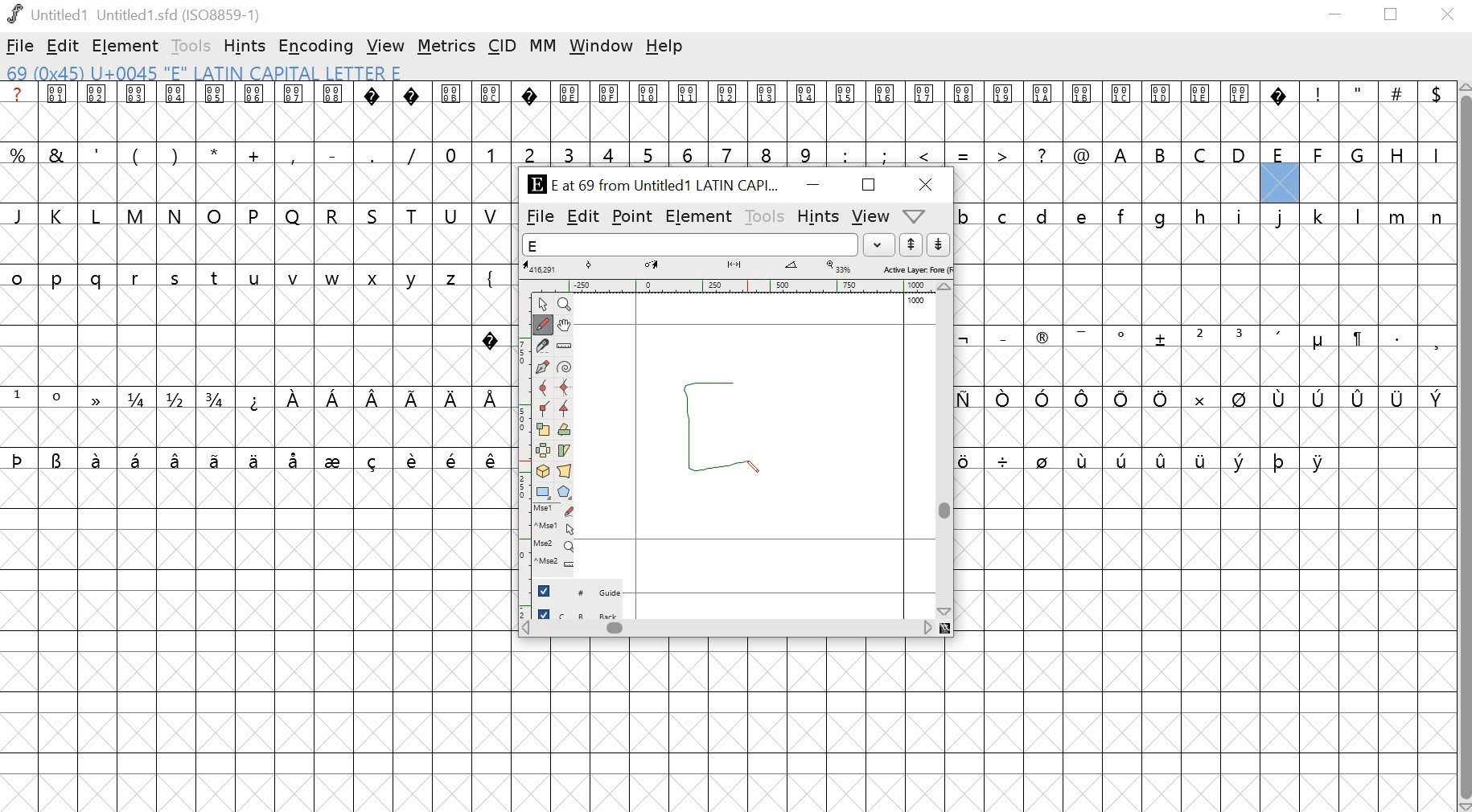 The height and width of the screenshot is (812, 1472). Describe the element at coordinates (20, 47) in the screenshot. I see `file` at that location.